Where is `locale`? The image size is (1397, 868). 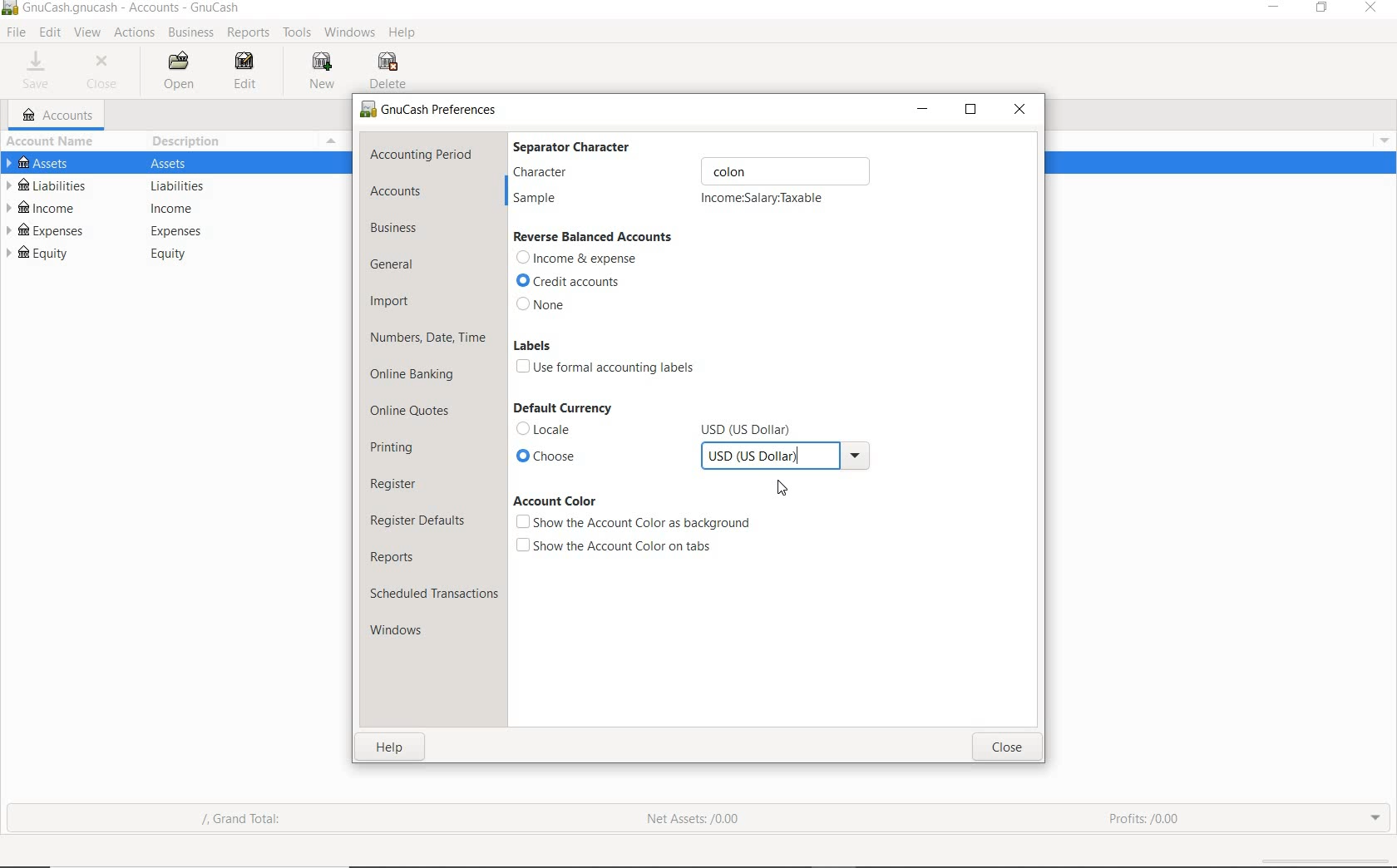
locale is located at coordinates (585, 431).